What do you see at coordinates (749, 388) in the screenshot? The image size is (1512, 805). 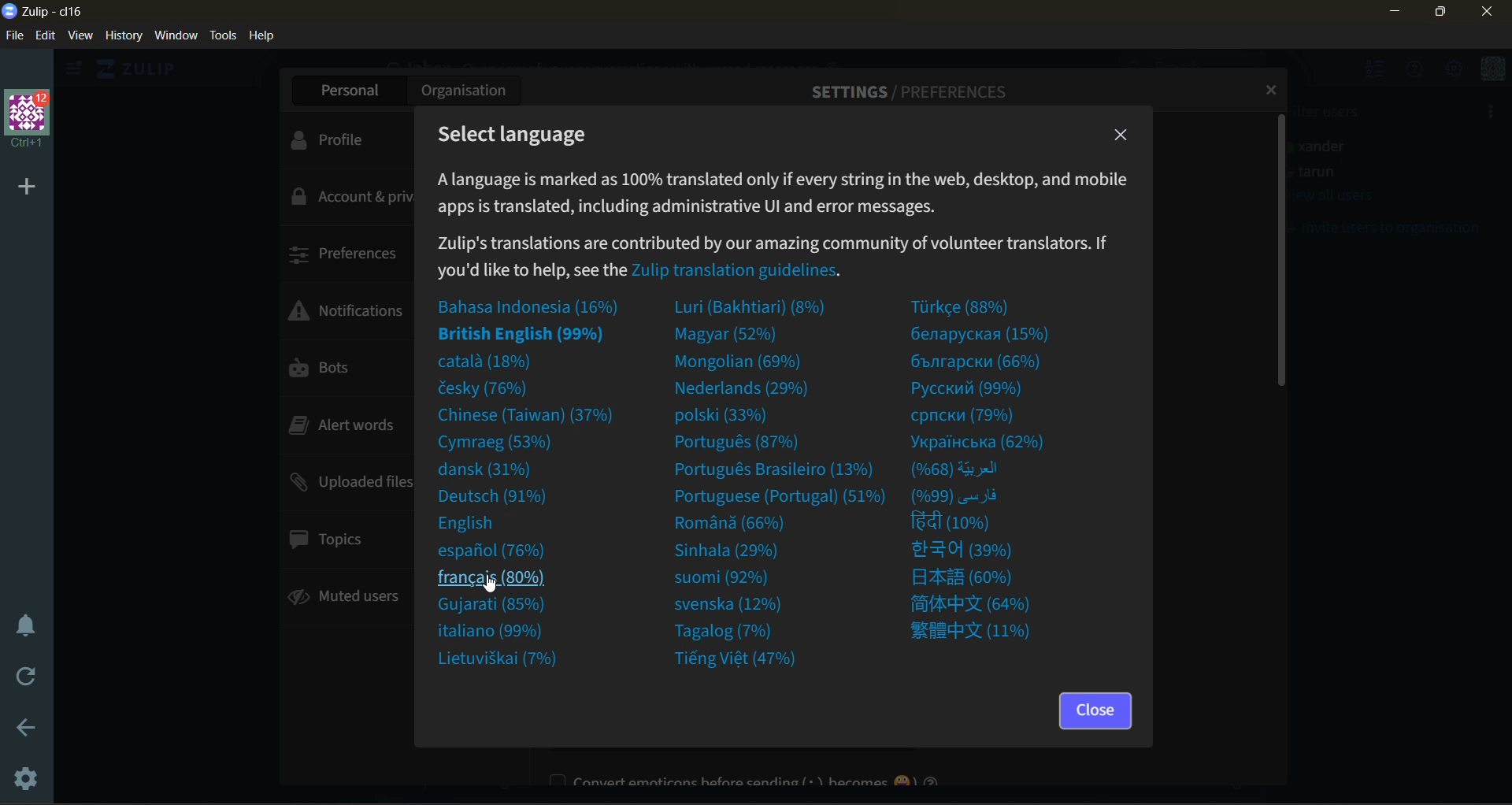 I see `nederlands` at bounding box center [749, 388].